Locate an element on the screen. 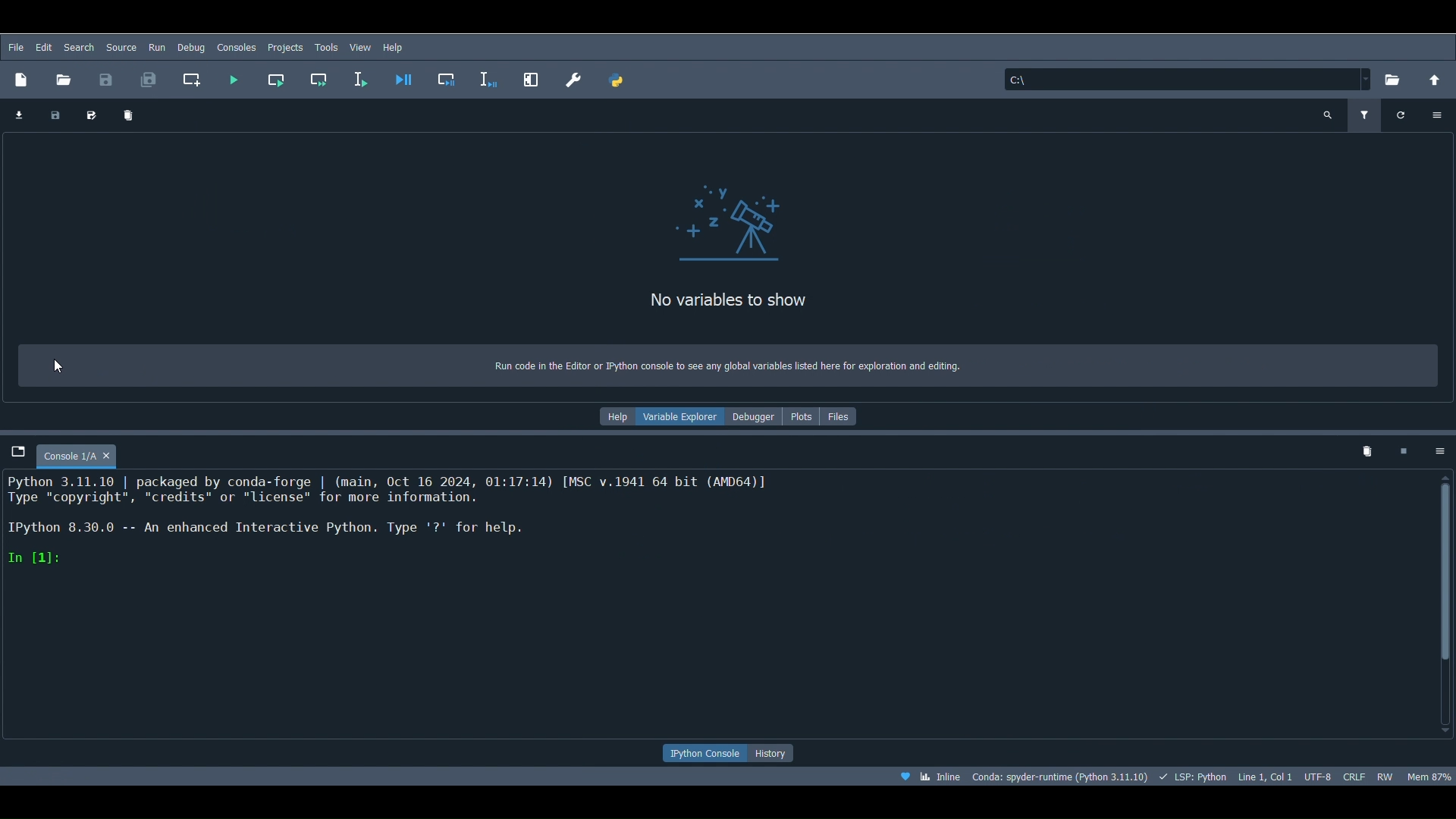 This screenshot has width=1456, height=819. File is located at coordinates (14, 47).